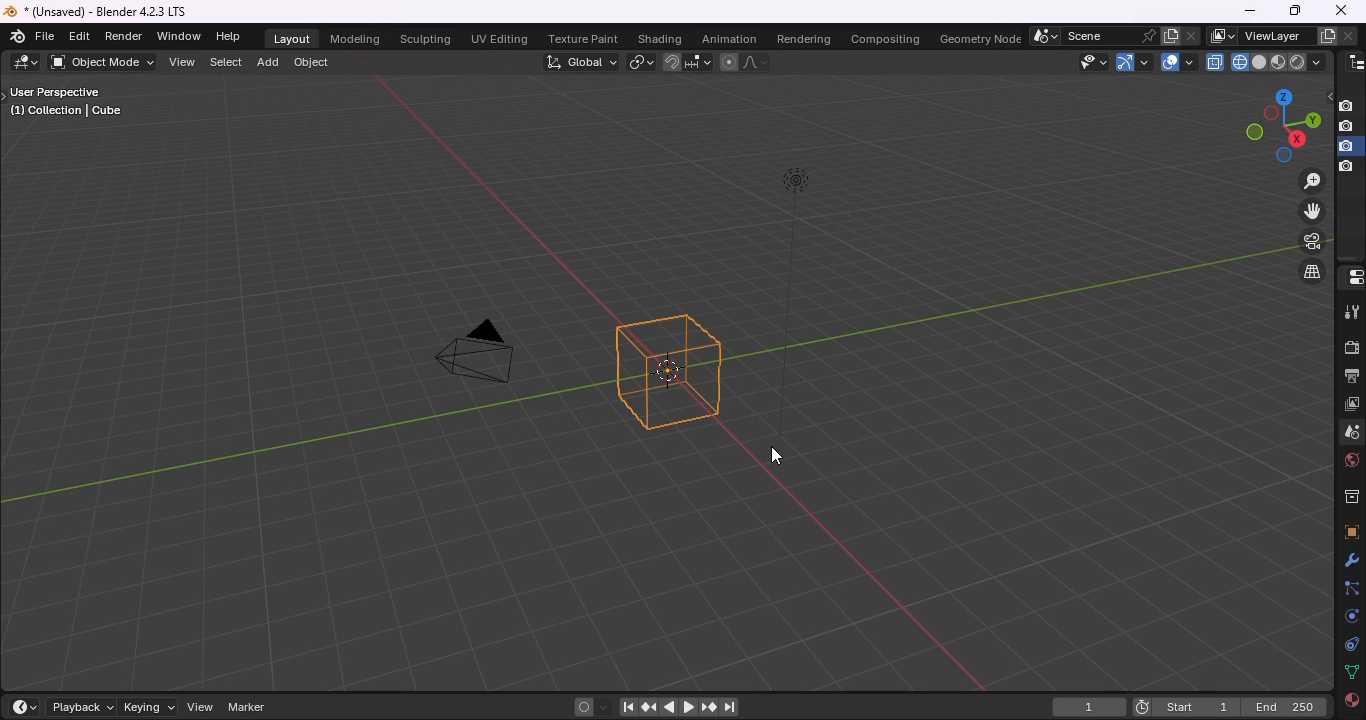  What do you see at coordinates (1351, 377) in the screenshot?
I see `output` at bounding box center [1351, 377].